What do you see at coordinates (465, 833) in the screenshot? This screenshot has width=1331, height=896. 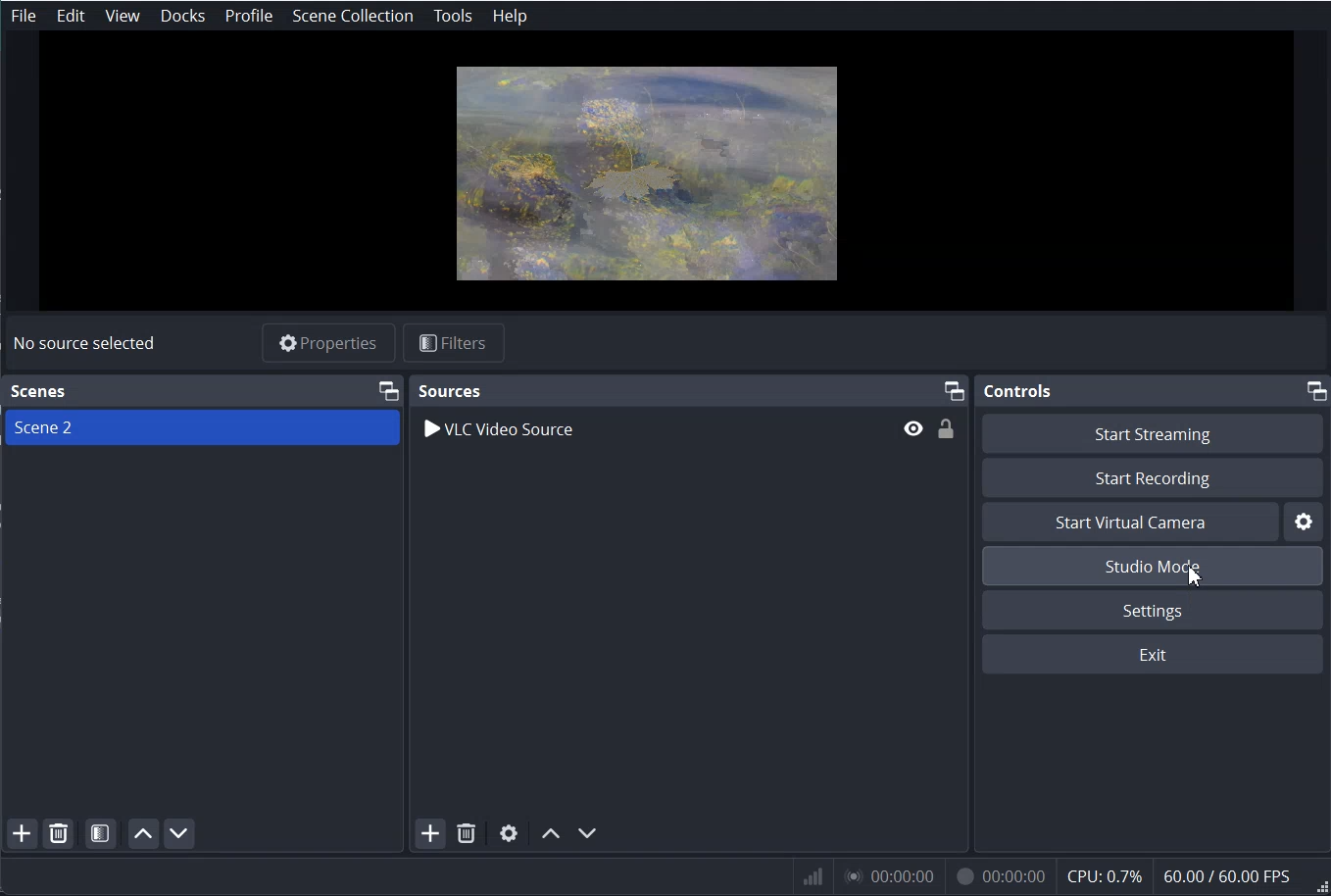 I see `Remove Selected Source` at bounding box center [465, 833].